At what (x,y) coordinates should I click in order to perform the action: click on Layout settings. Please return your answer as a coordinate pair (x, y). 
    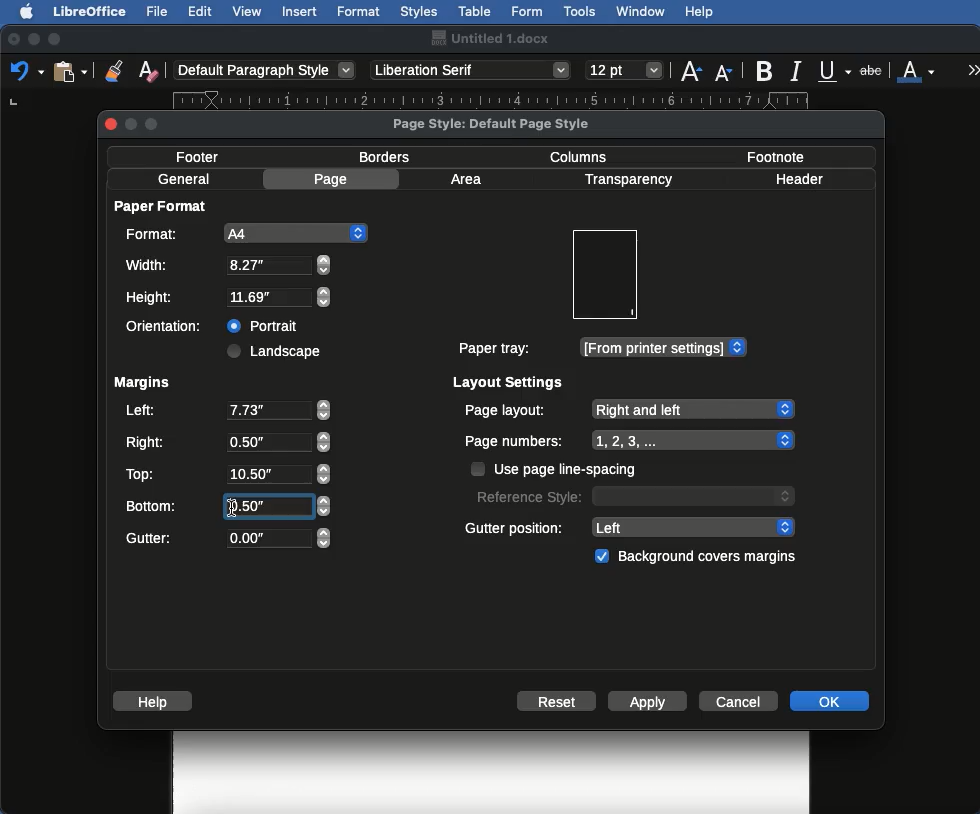
    Looking at the image, I should click on (509, 382).